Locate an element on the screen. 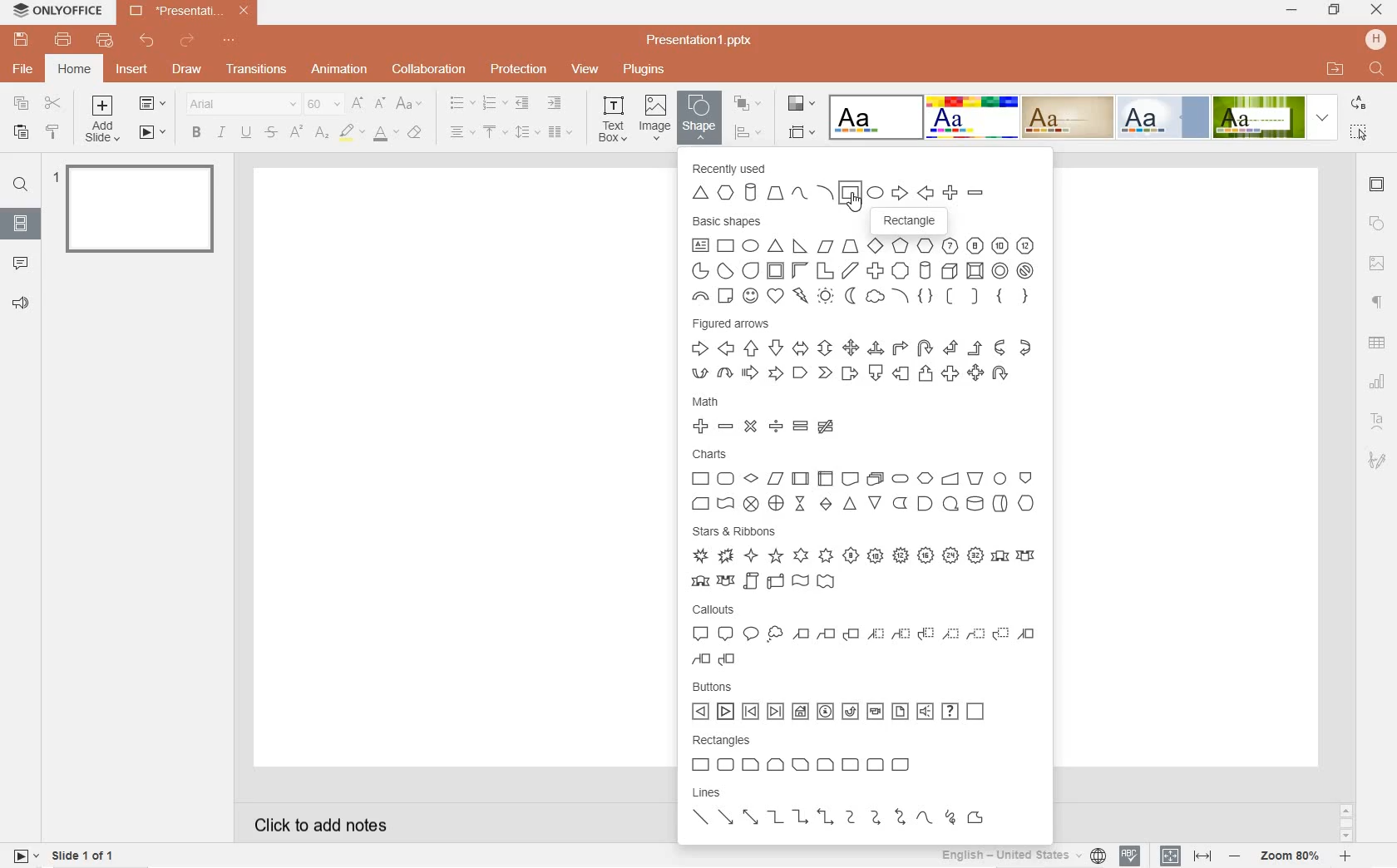  Vertical Scroll is located at coordinates (752, 581).